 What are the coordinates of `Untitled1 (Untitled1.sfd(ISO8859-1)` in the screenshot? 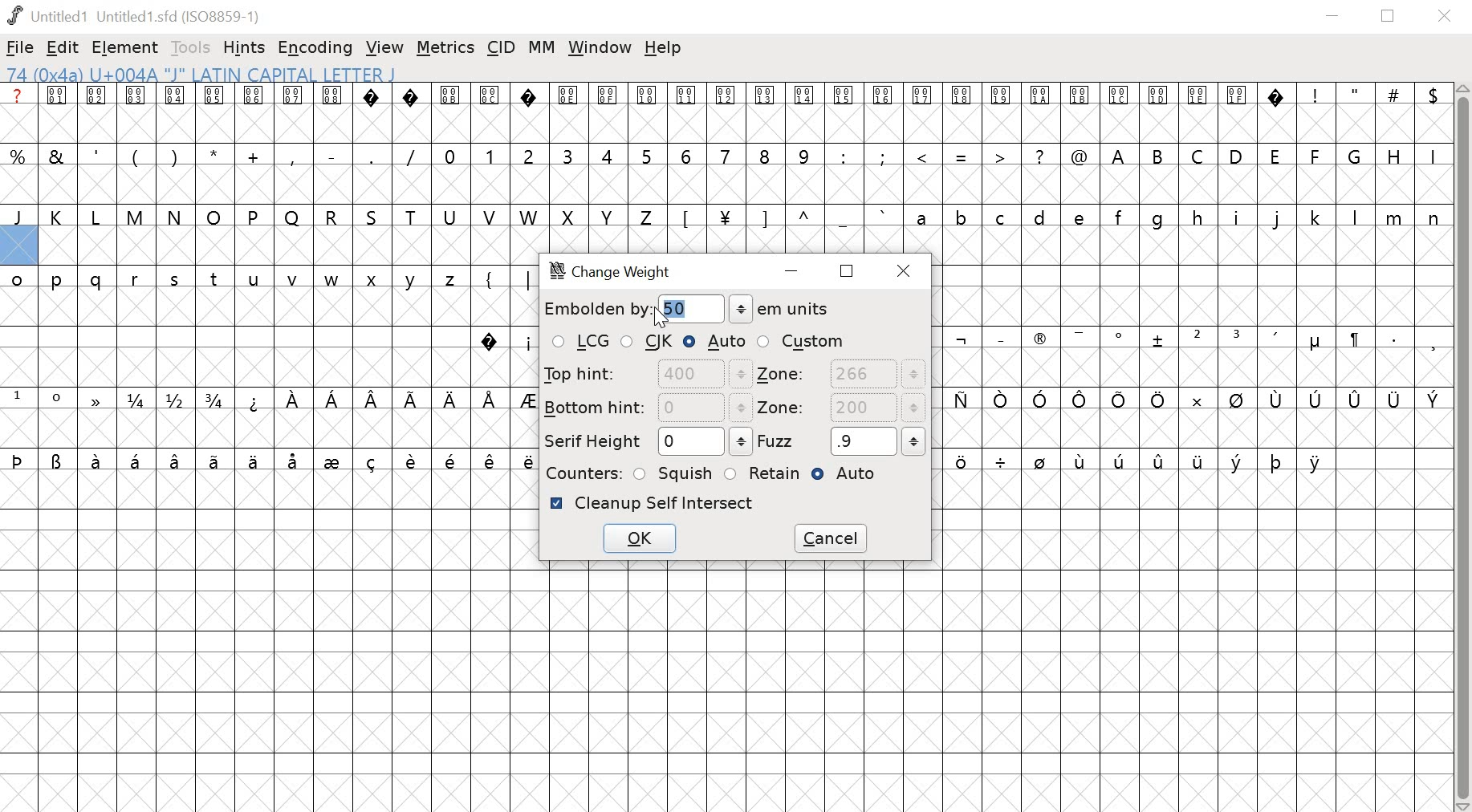 It's located at (137, 15).